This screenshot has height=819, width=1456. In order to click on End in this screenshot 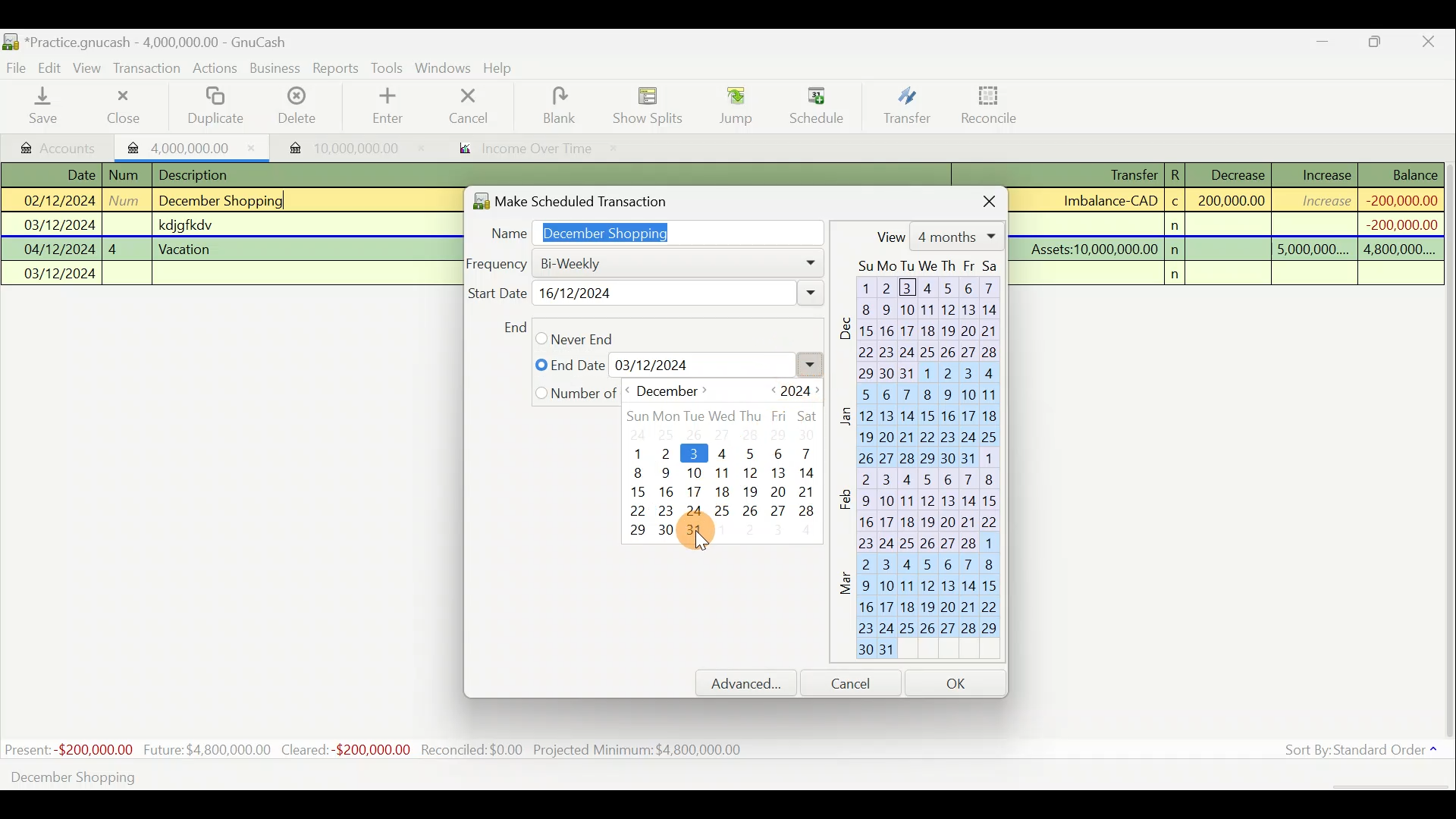, I will do `click(513, 327)`.